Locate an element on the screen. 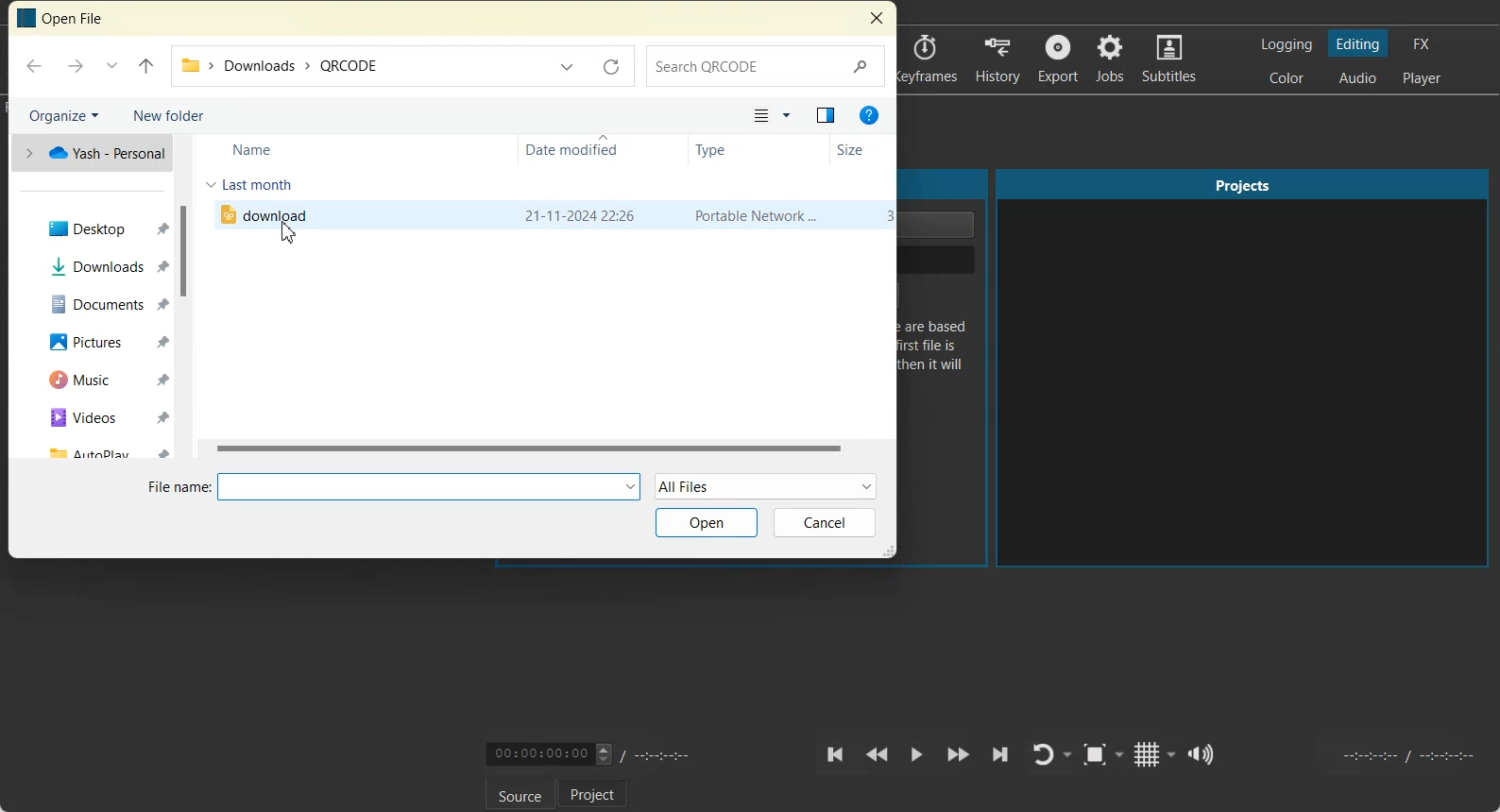 The height and width of the screenshot is (812, 1500). One Drive is located at coordinates (91, 153).